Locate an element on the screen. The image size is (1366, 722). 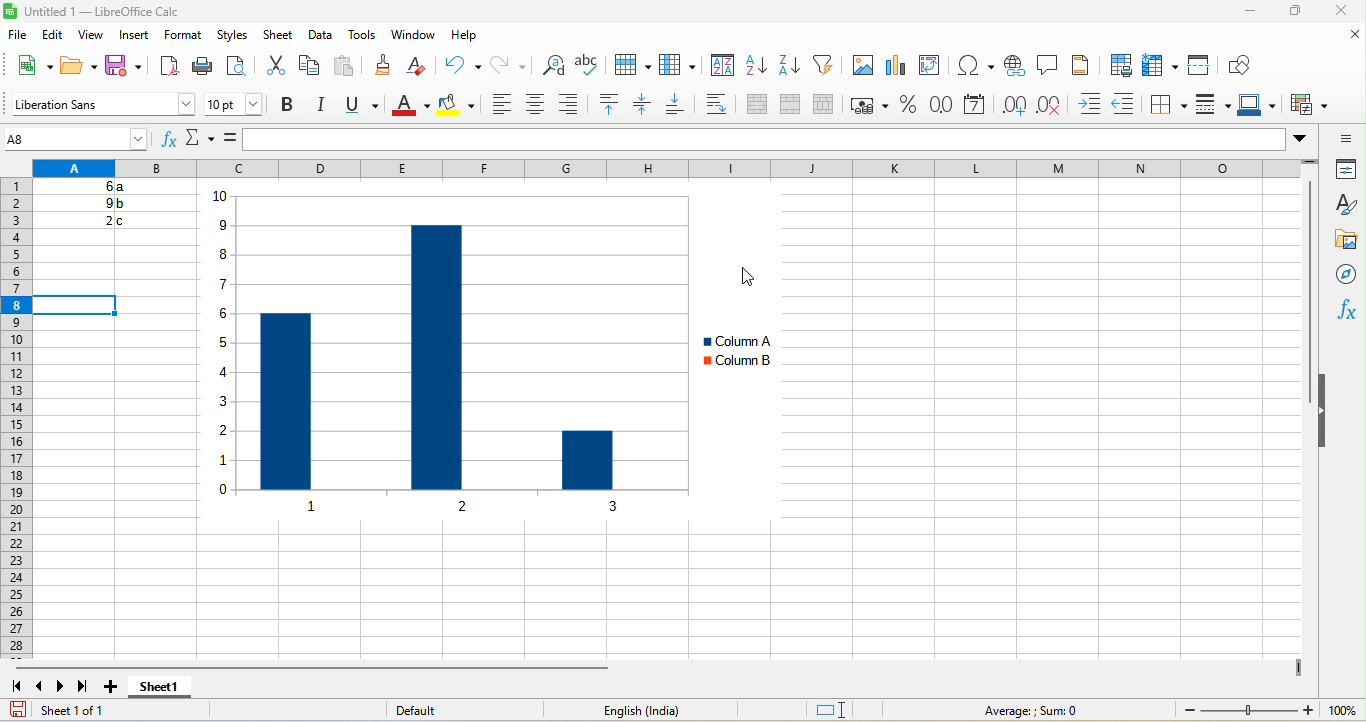
view is located at coordinates (94, 34).